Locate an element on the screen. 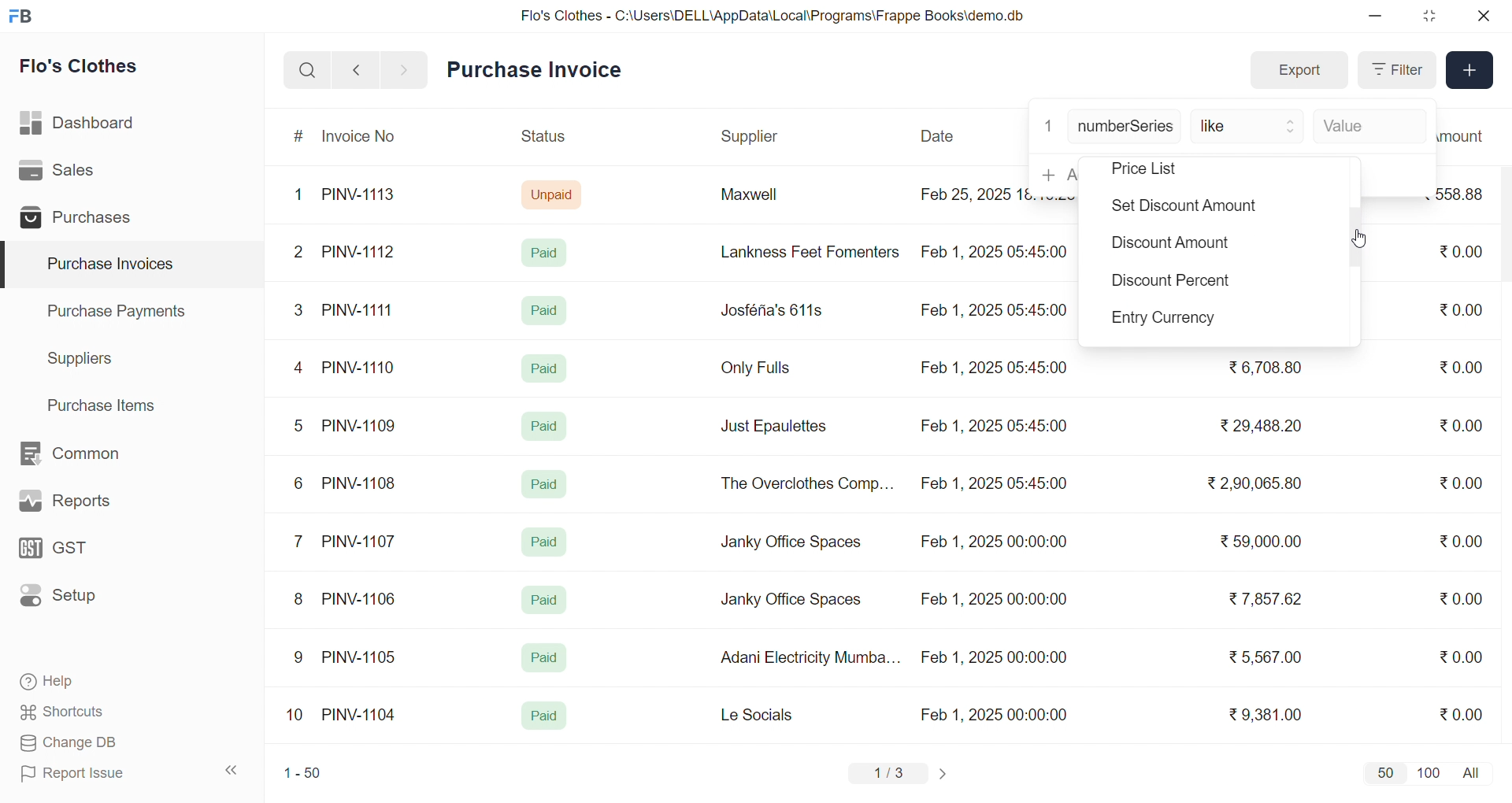 The image size is (1512, 803). Feb 1, 2025 00:00:00 is located at coordinates (994, 657).